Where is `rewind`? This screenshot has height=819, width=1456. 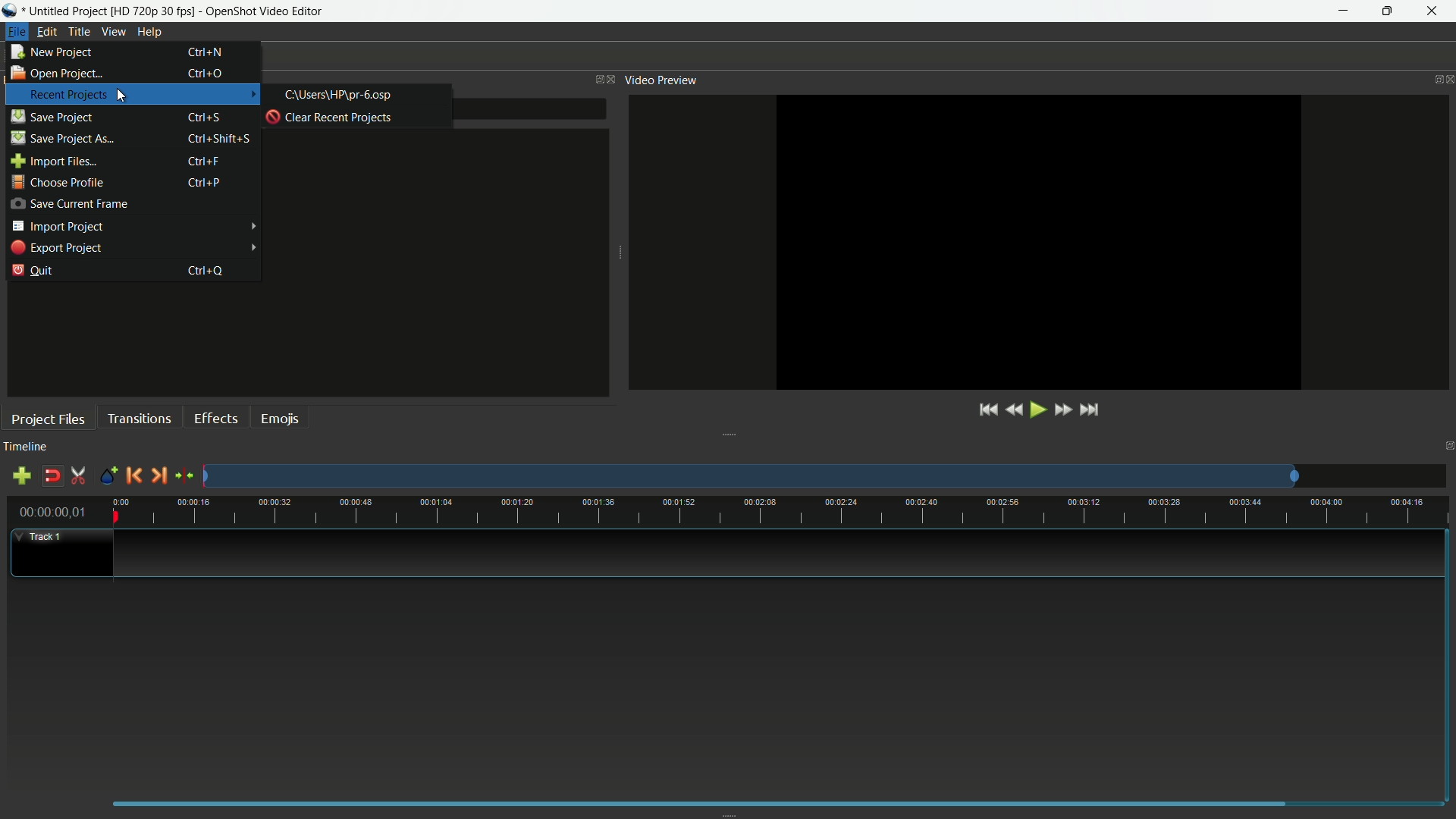
rewind is located at coordinates (1012, 411).